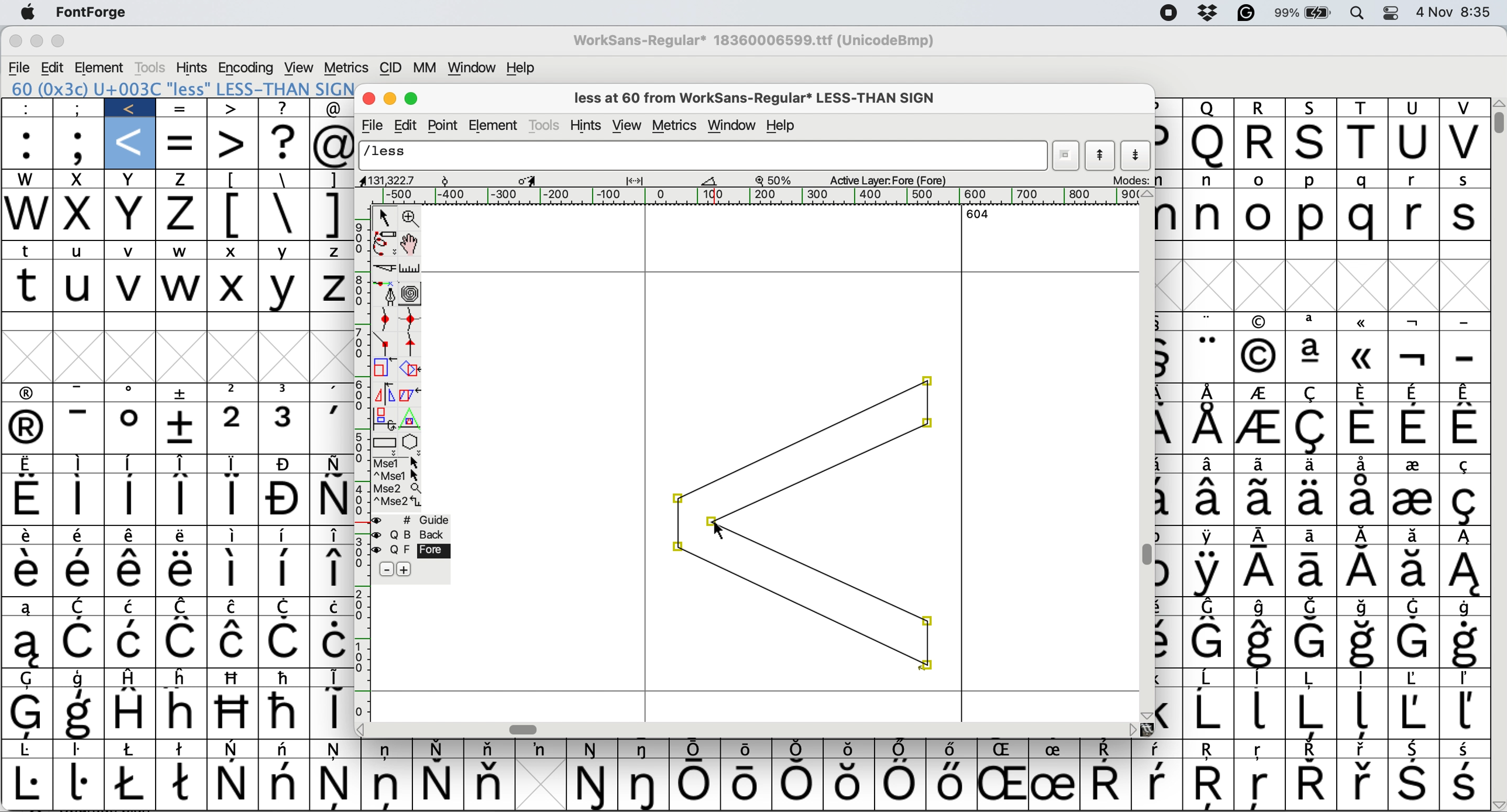 This screenshot has width=1507, height=812. What do you see at coordinates (1208, 751) in the screenshot?
I see `Symbol` at bounding box center [1208, 751].